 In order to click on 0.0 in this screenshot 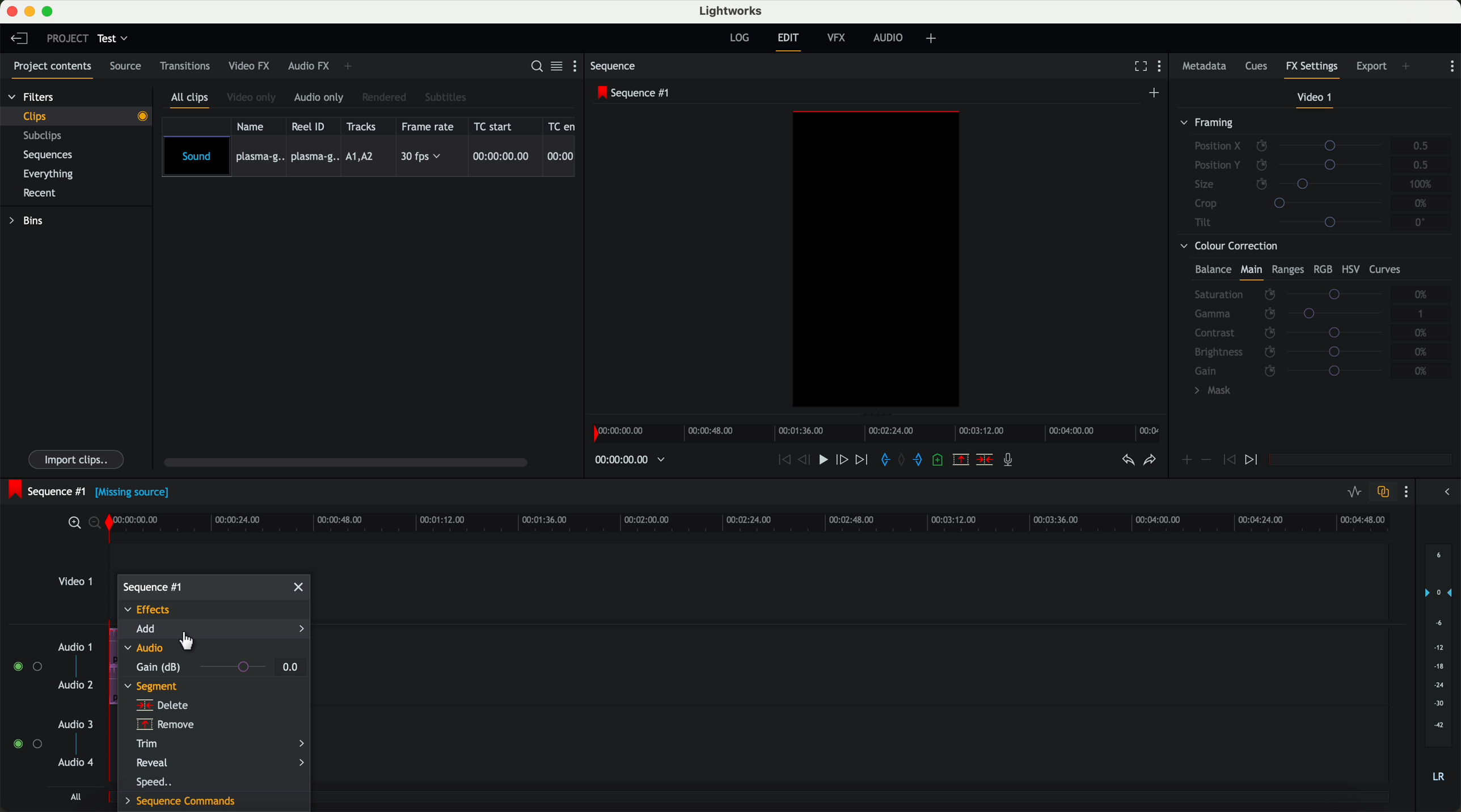, I will do `click(290, 666)`.